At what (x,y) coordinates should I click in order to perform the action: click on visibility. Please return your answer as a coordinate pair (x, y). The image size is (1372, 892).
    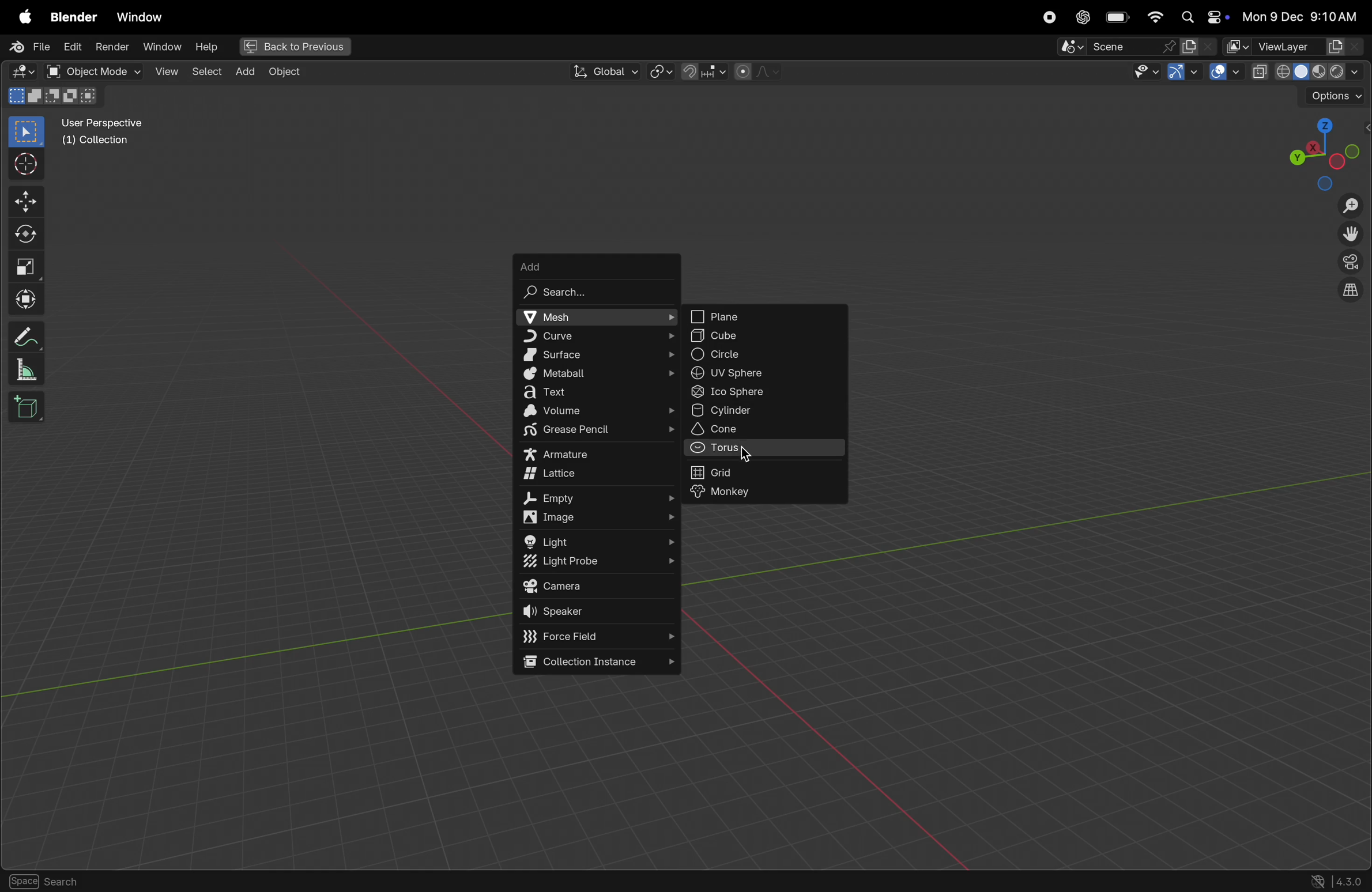
    Looking at the image, I should click on (1143, 73).